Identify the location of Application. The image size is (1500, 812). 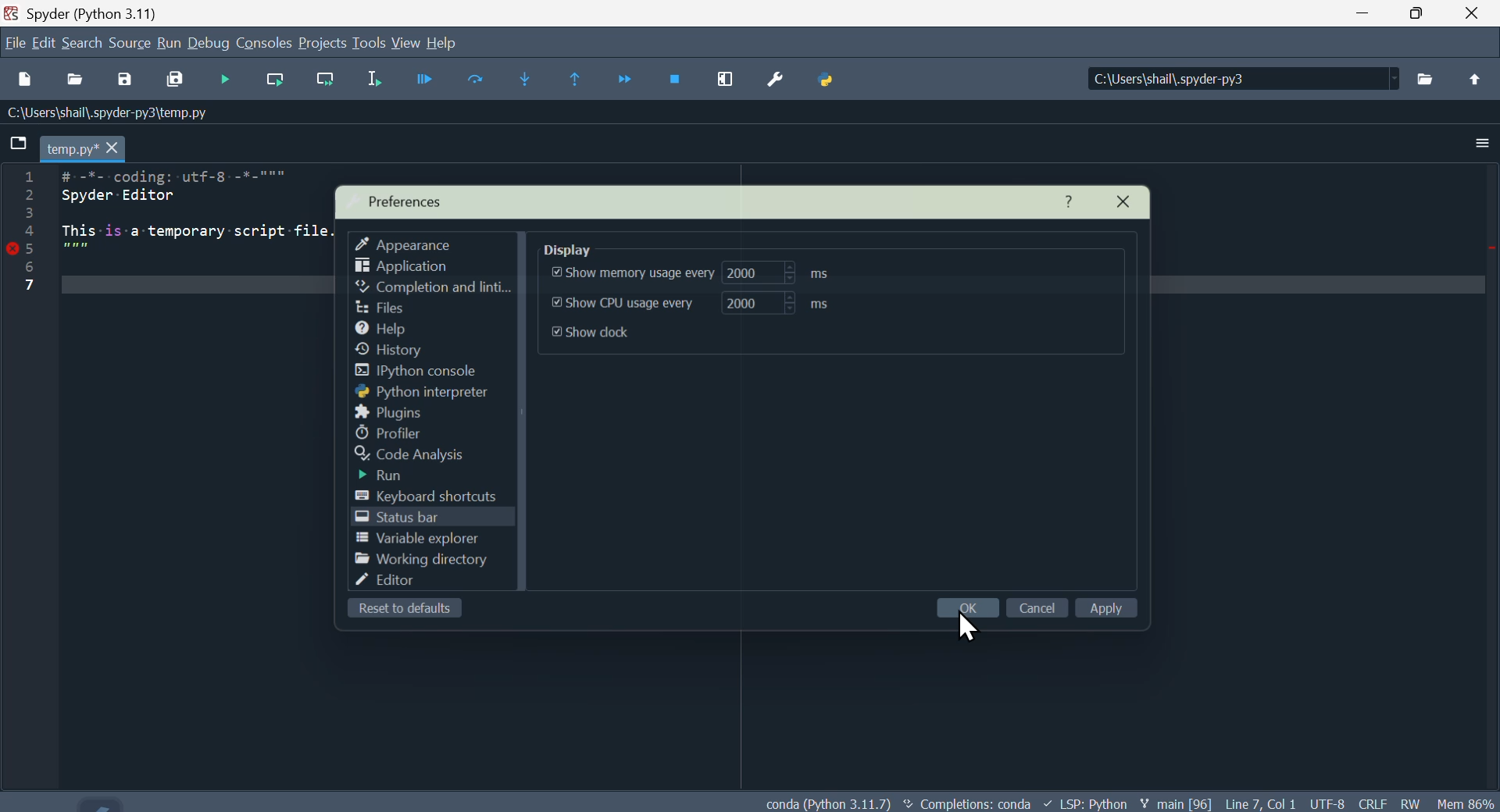
(412, 265).